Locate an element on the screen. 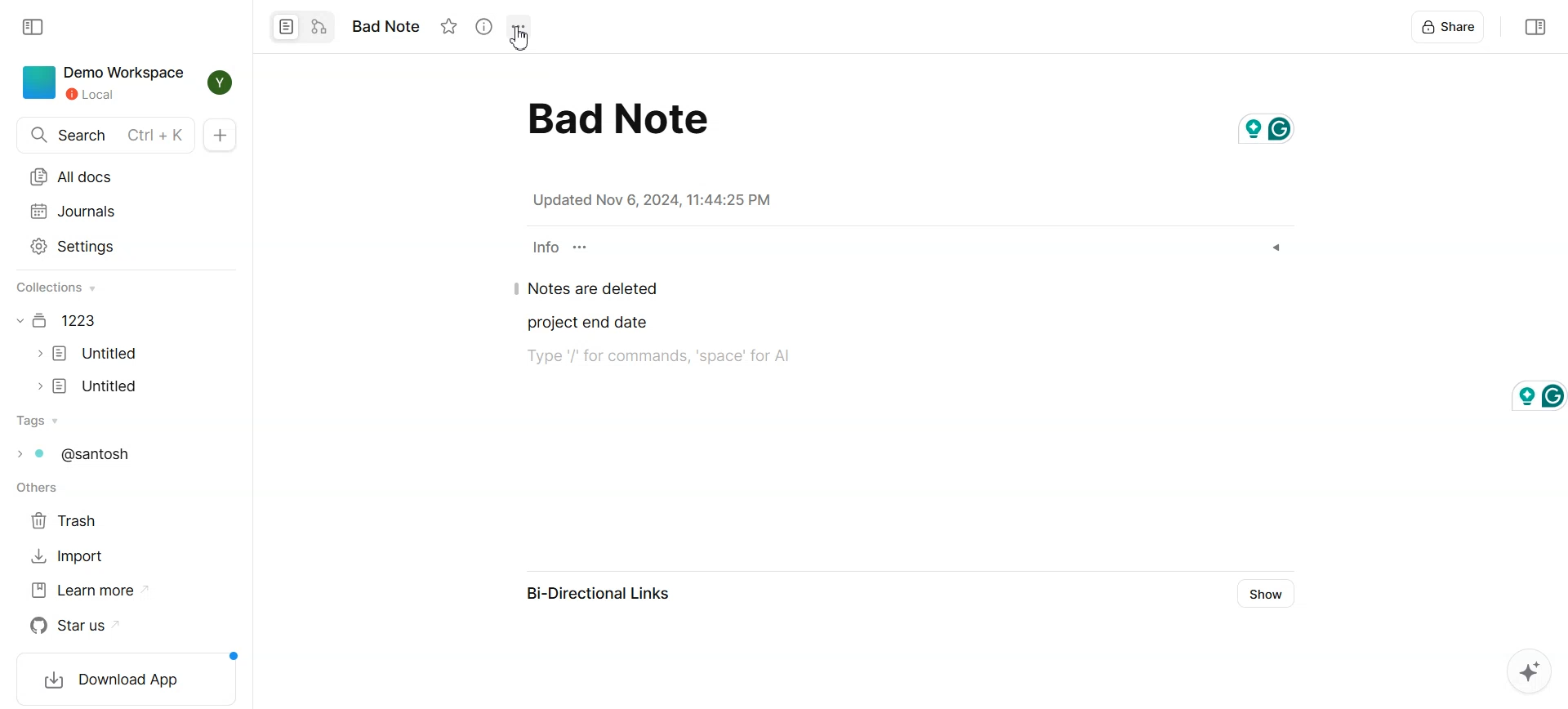  bi directional links is located at coordinates (605, 594).